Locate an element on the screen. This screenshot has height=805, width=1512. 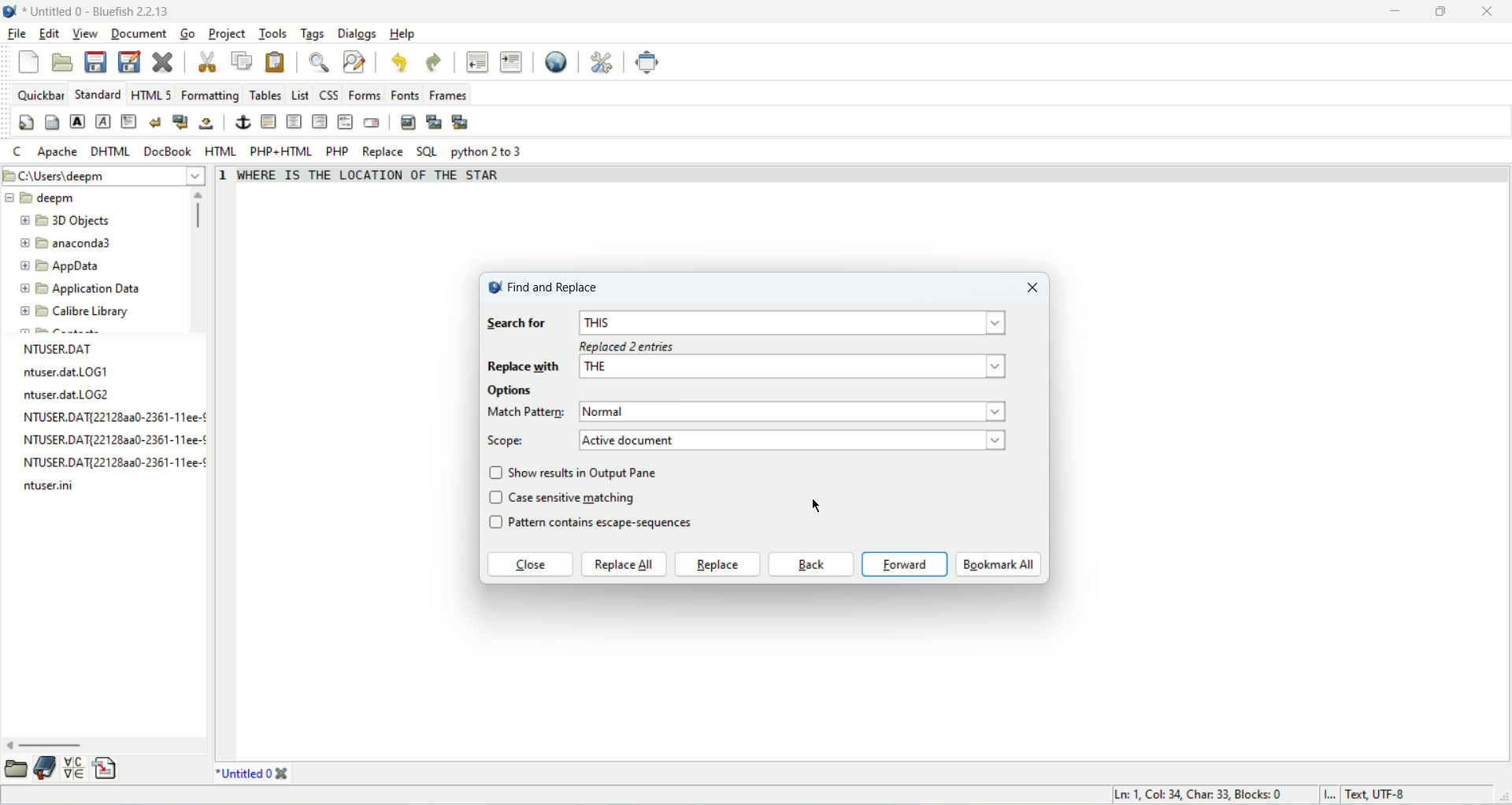
replace with is located at coordinates (750, 367).